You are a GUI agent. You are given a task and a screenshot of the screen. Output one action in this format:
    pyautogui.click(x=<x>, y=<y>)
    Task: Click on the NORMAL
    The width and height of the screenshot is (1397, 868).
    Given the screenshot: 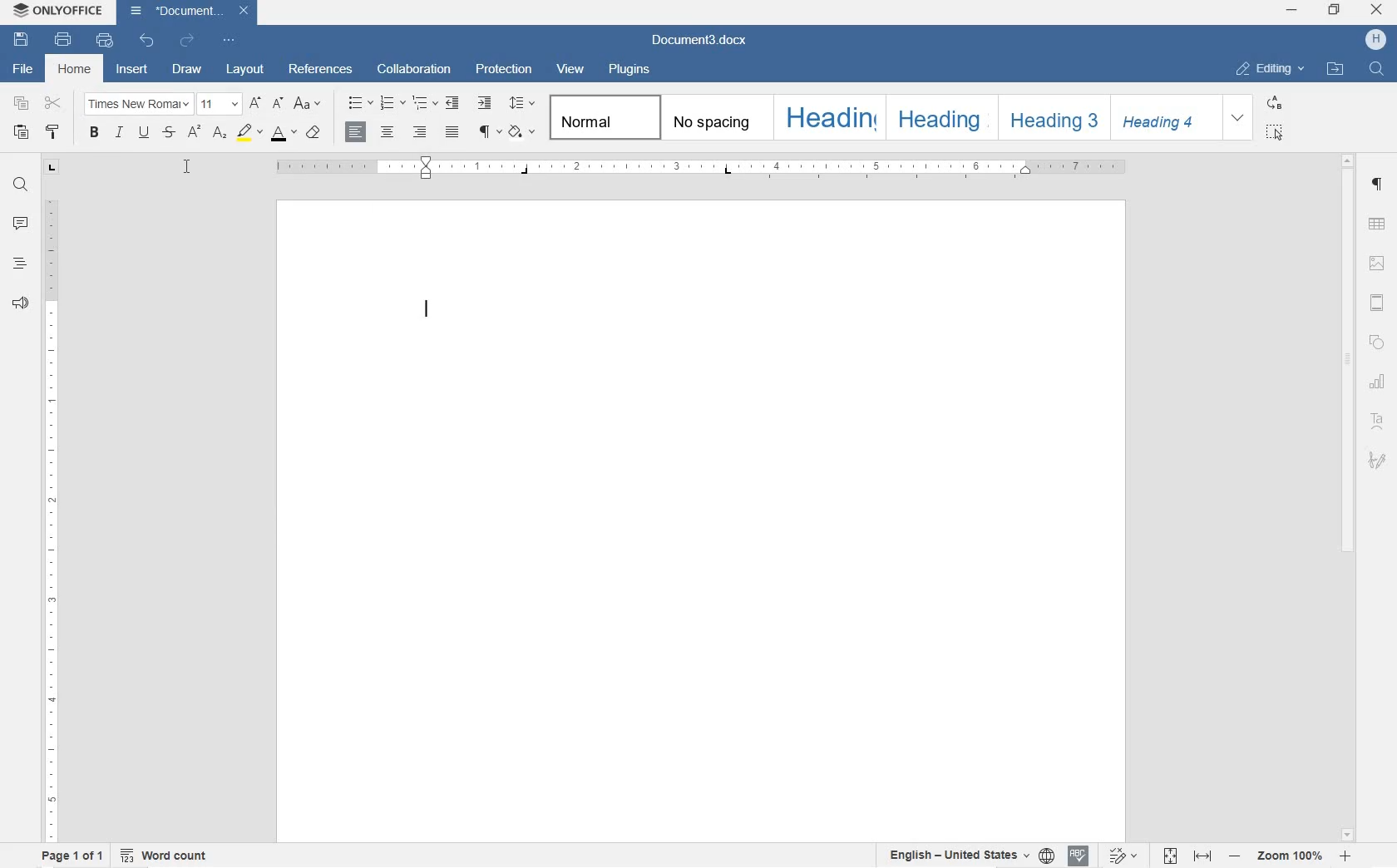 What is the action you would take?
    pyautogui.click(x=602, y=116)
    